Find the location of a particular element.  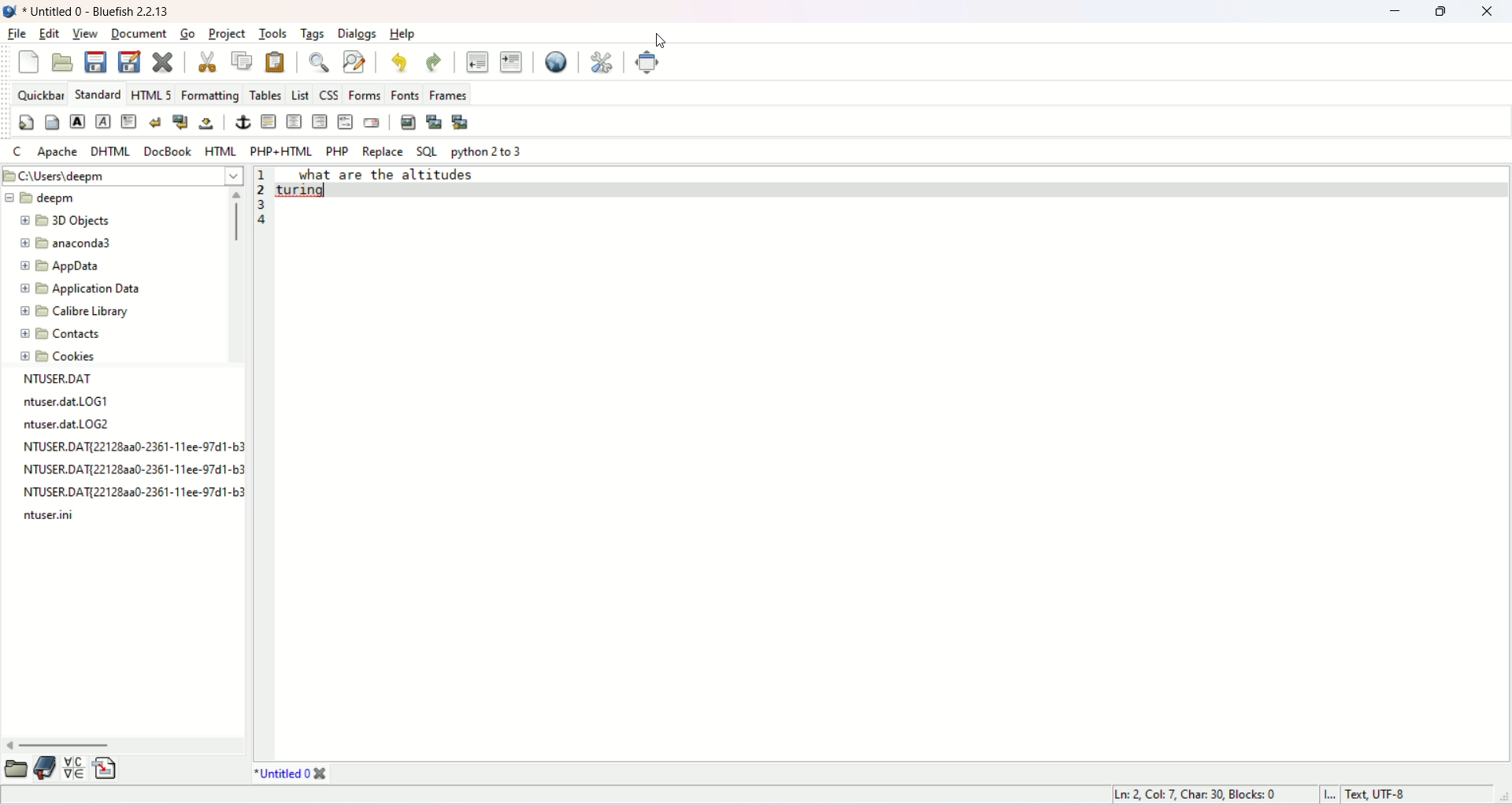

advance find and replace is located at coordinates (354, 64).